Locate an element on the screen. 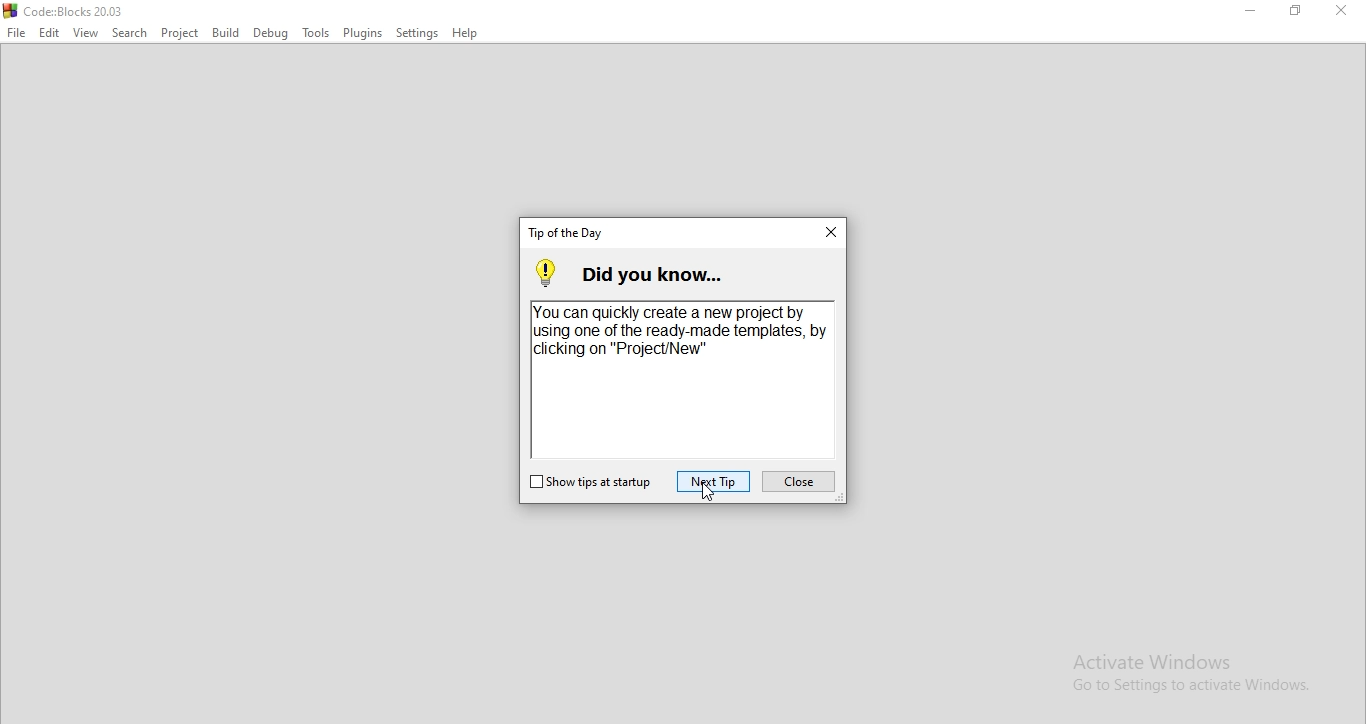 This screenshot has width=1366, height=724. logo is located at coordinates (64, 9).